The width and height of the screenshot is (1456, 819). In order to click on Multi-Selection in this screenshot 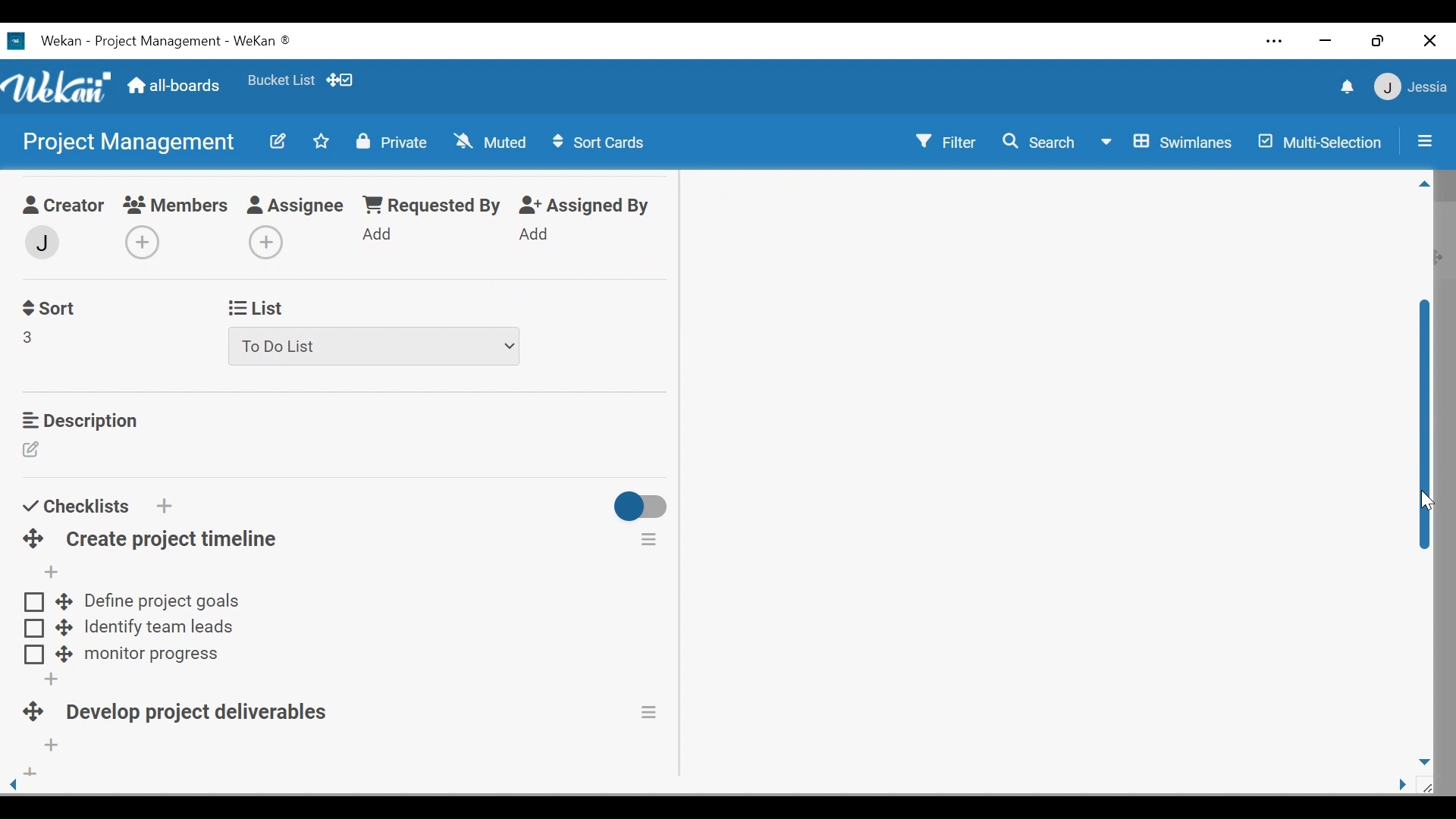, I will do `click(1317, 142)`.